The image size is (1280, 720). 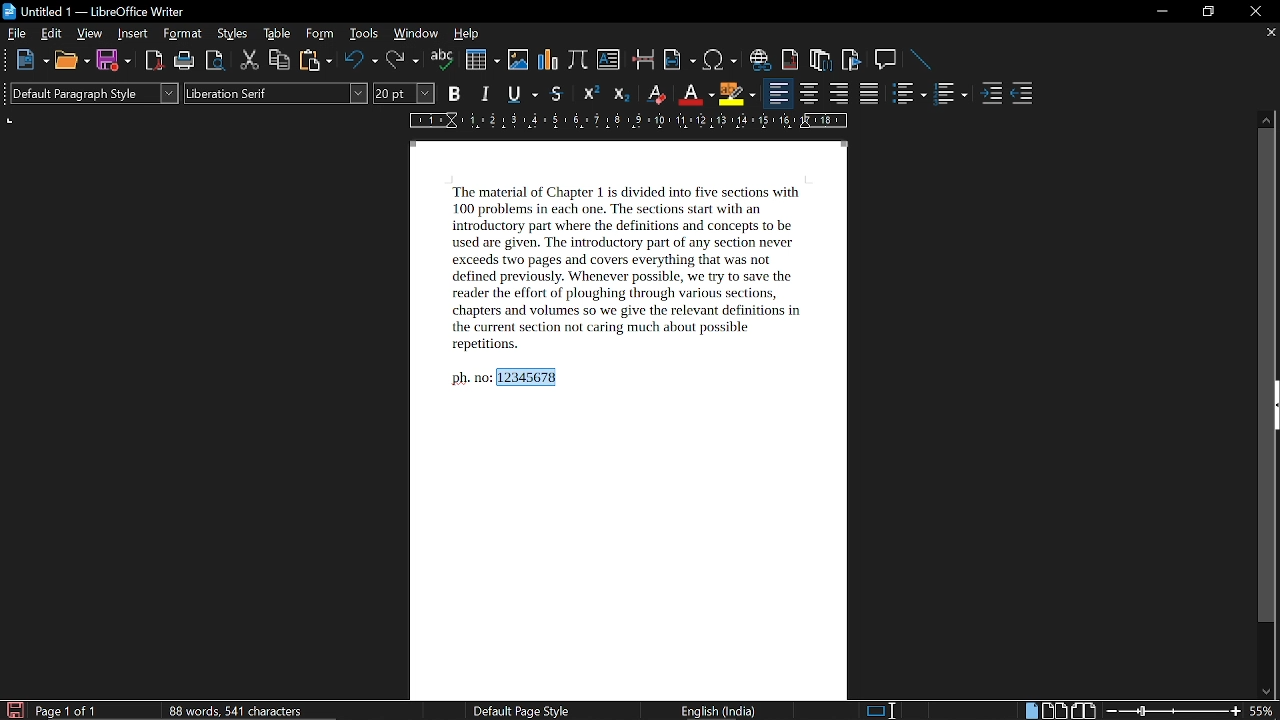 I want to click on insert table, so click(x=481, y=60).